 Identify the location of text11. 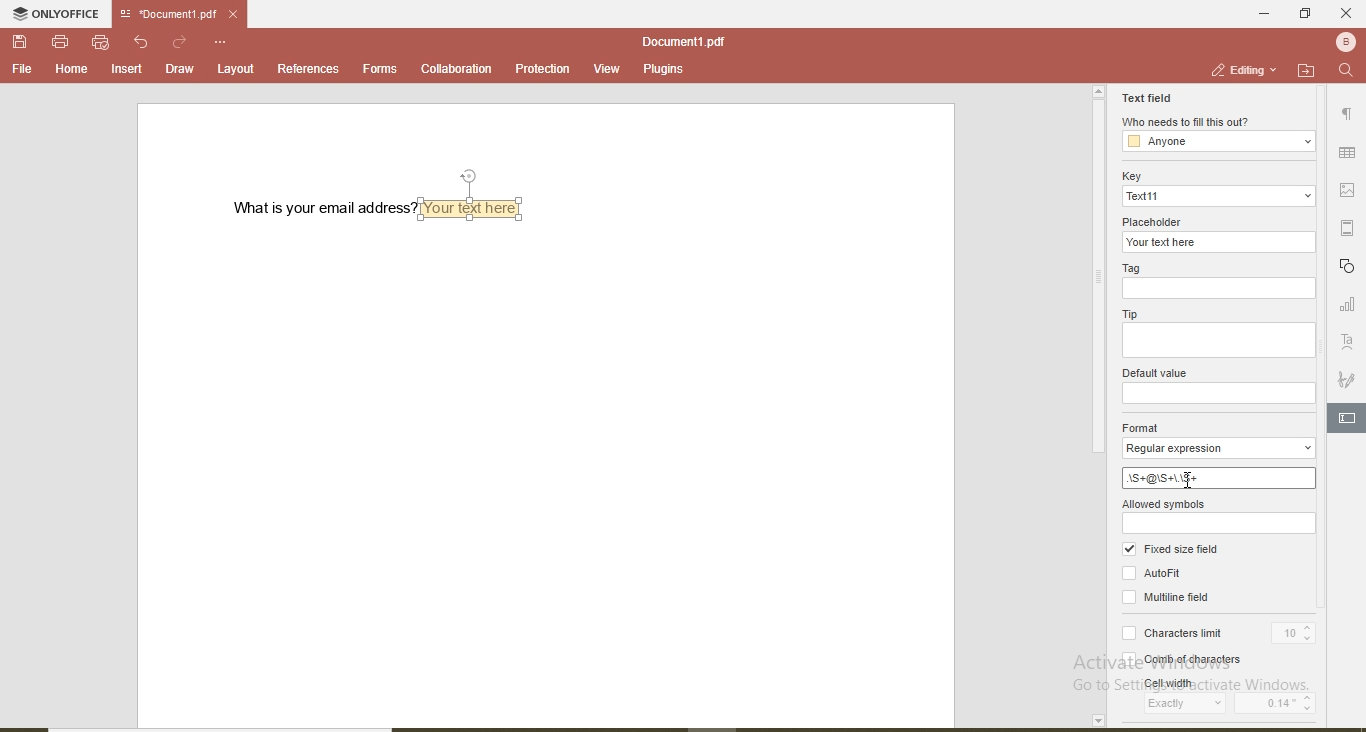
(1218, 196).